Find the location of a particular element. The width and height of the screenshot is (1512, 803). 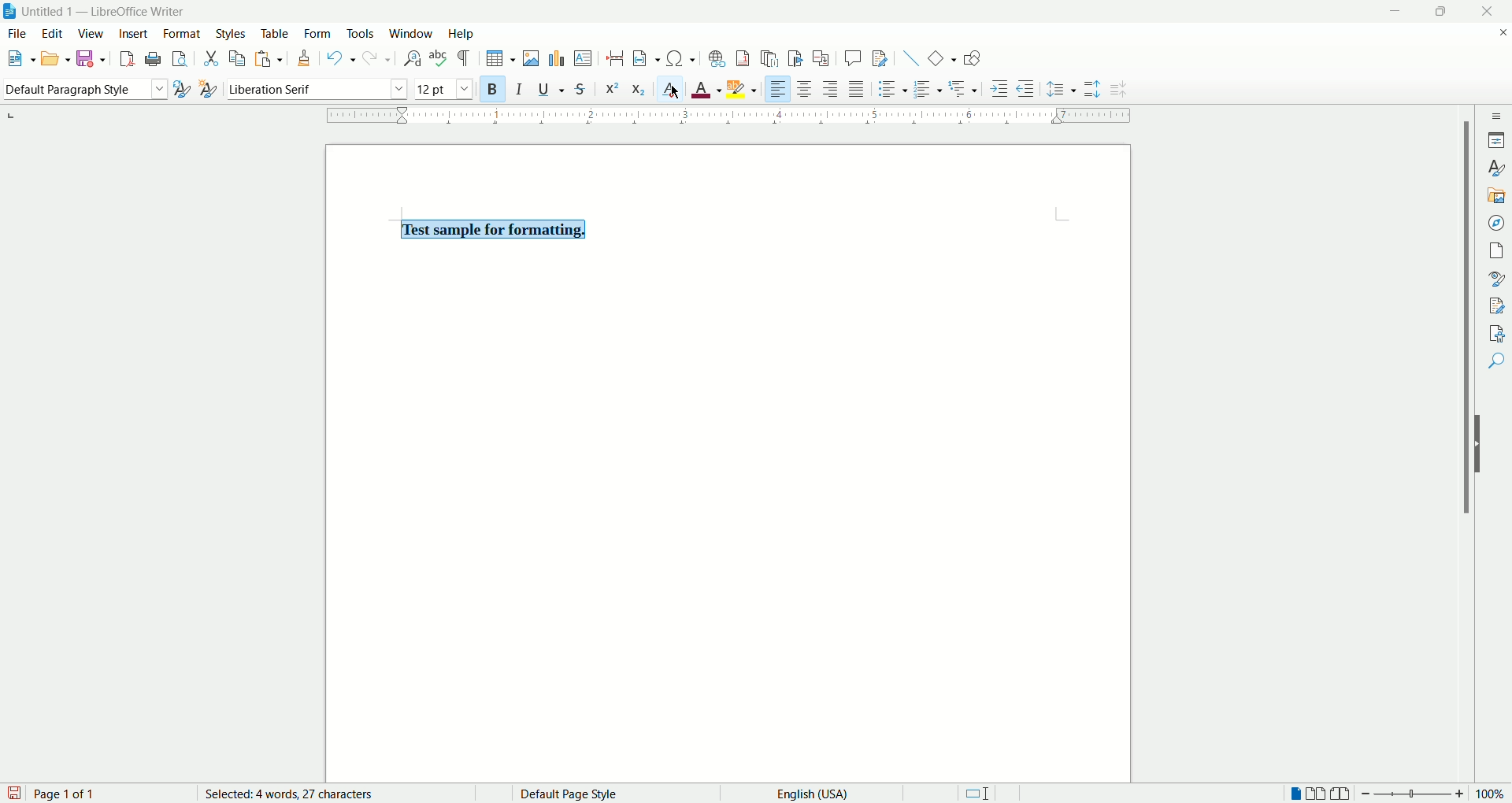

file is located at coordinates (15, 33).